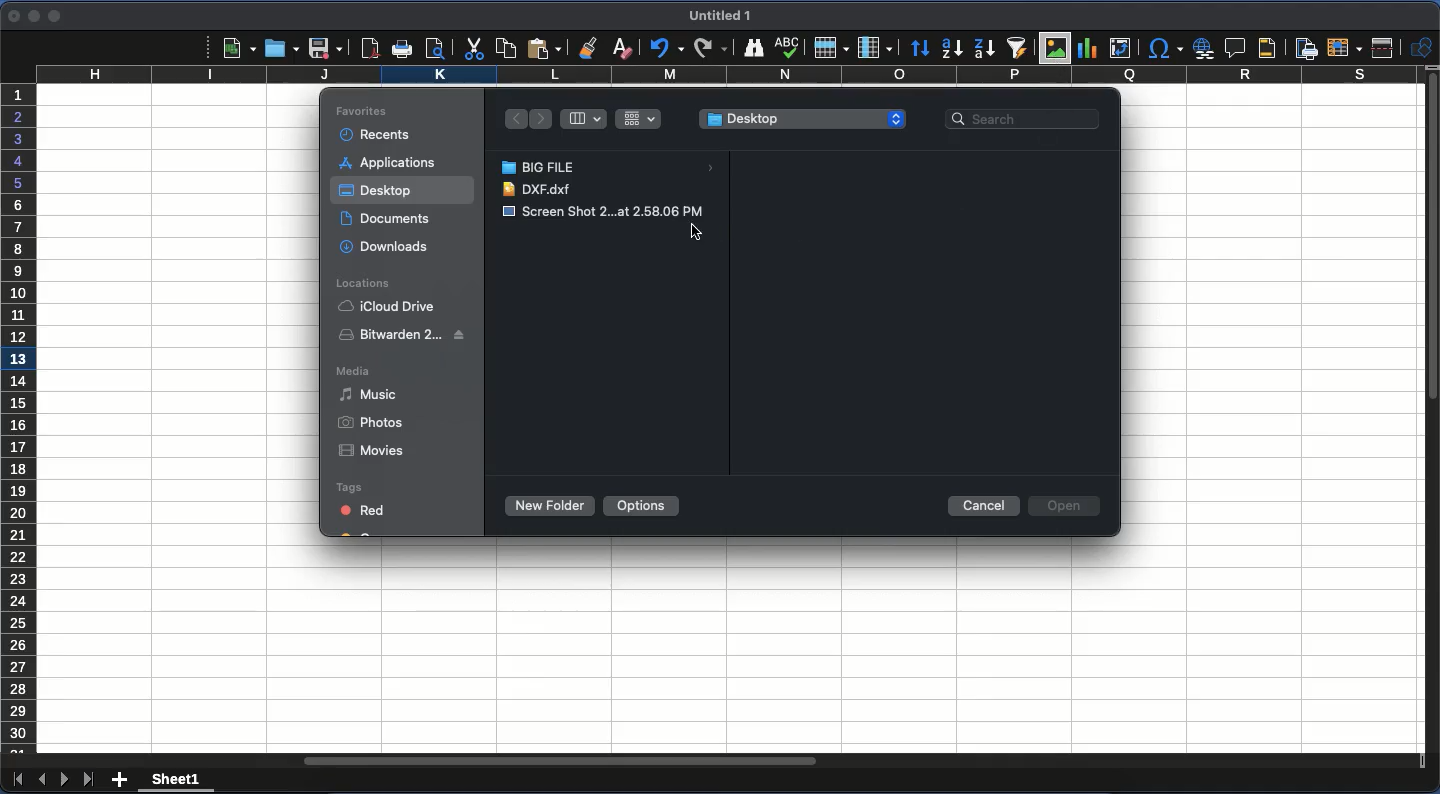 This screenshot has width=1440, height=794. What do you see at coordinates (356, 370) in the screenshot?
I see `media` at bounding box center [356, 370].